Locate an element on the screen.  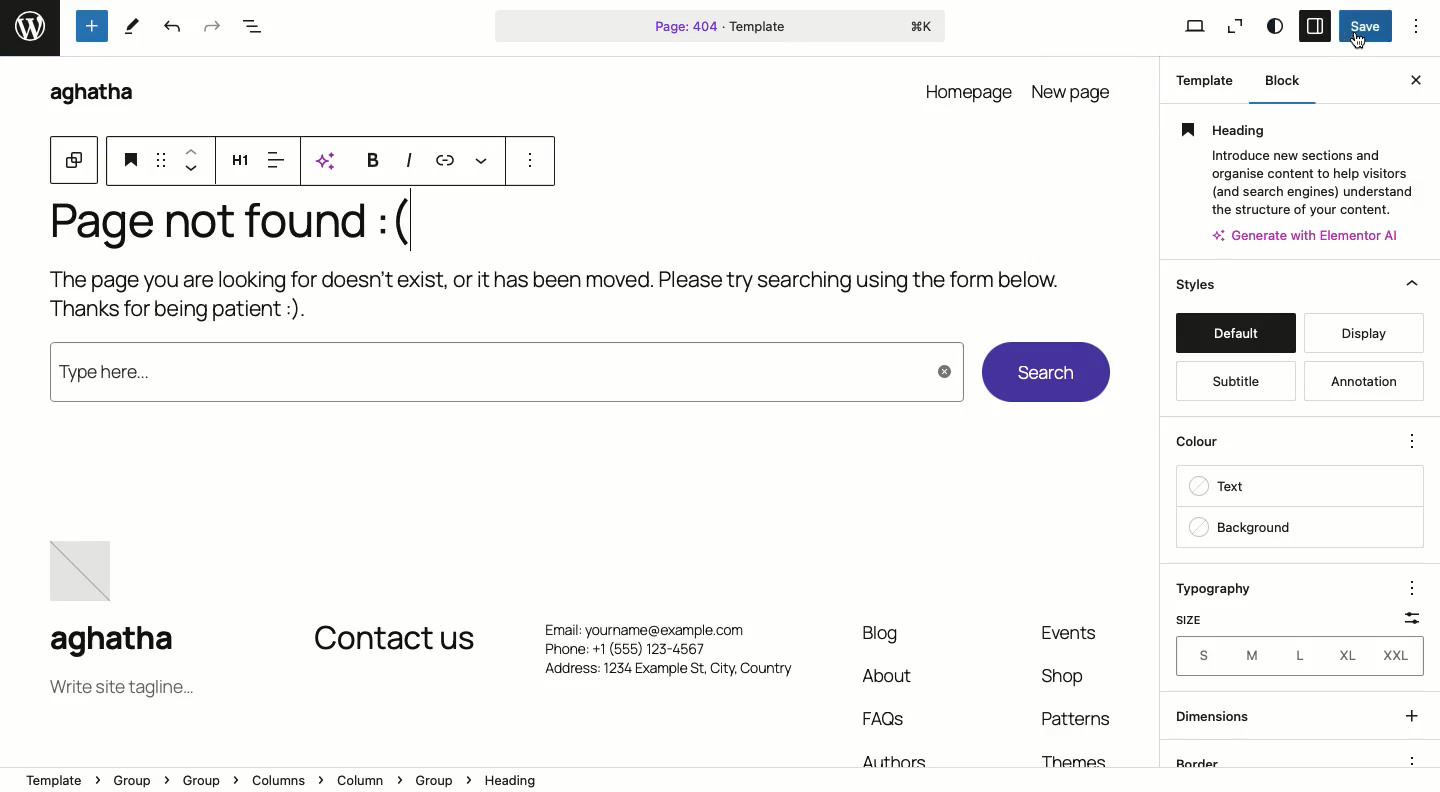
FAQs is located at coordinates (887, 719).